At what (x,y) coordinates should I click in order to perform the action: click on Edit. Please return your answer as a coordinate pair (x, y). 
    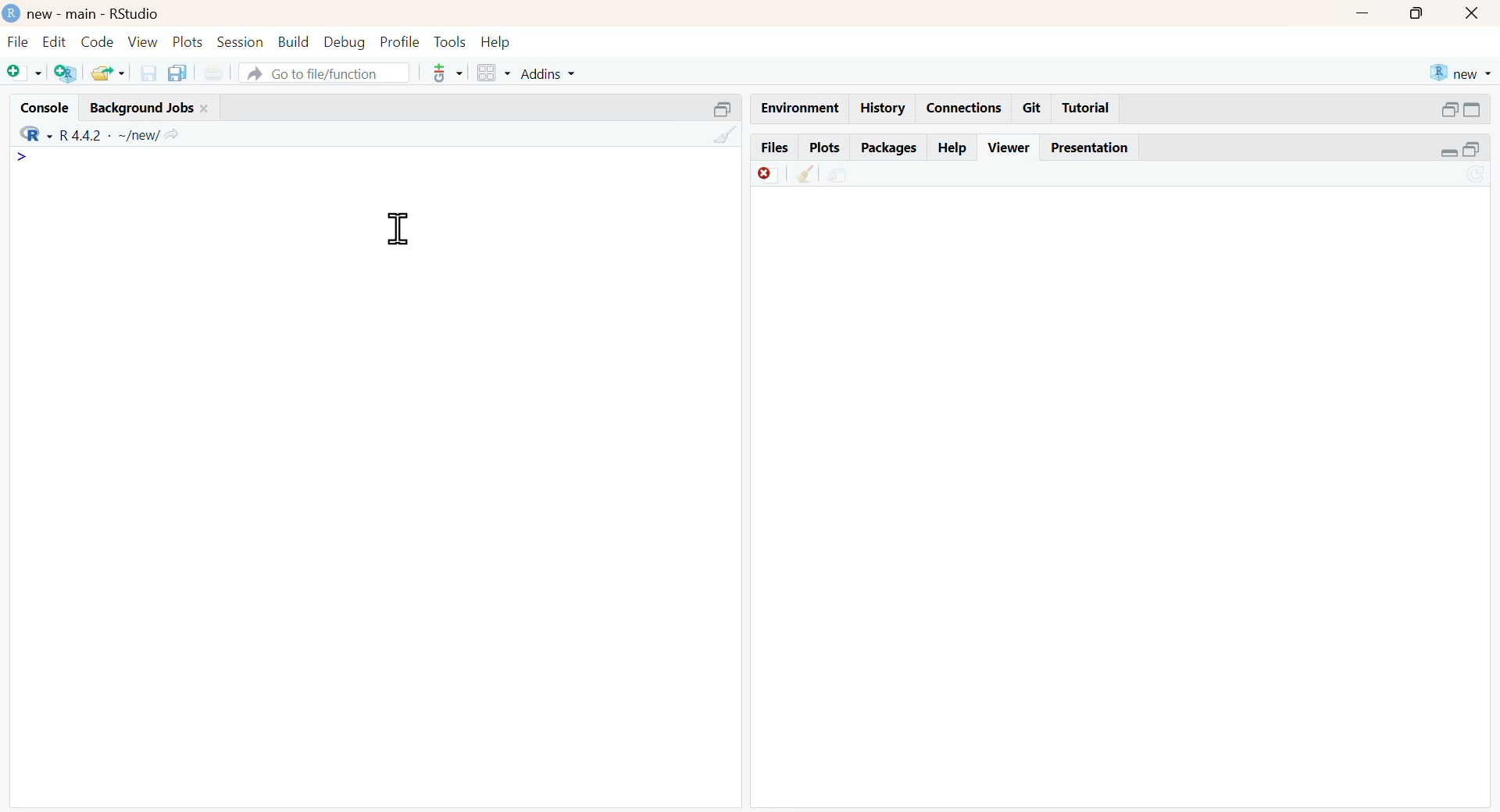
    Looking at the image, I should click on (52, 40).